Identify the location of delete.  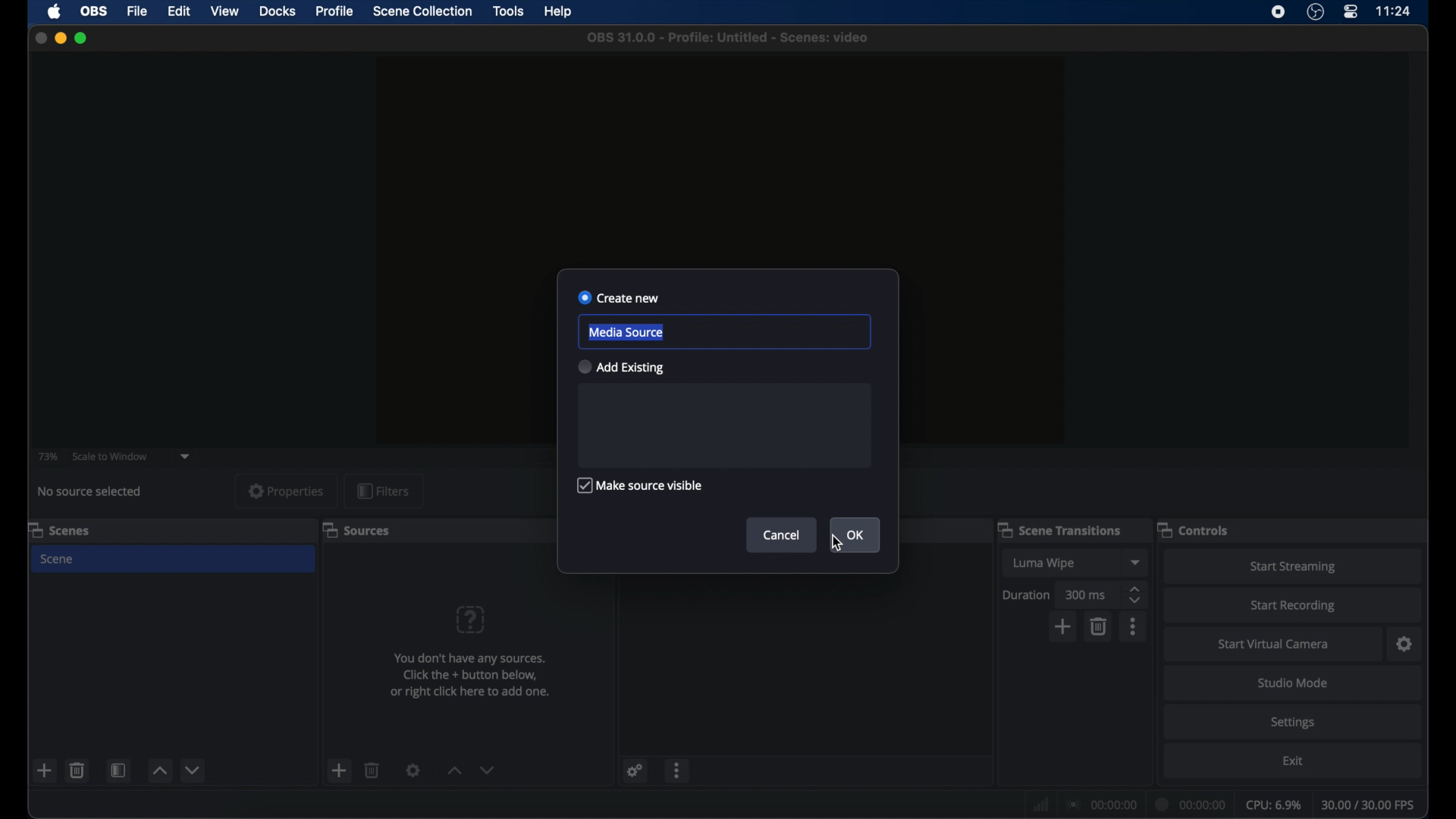
(1100, 627).